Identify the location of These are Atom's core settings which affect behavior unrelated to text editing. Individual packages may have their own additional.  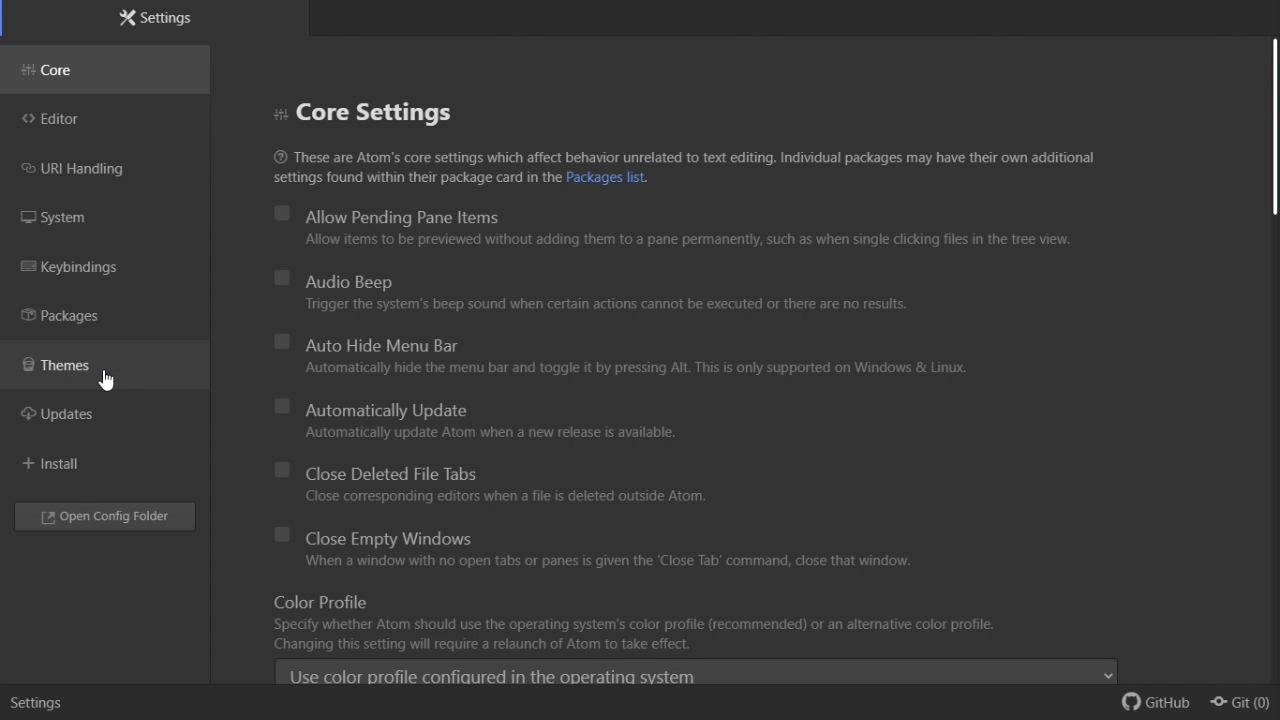
(687, 158).